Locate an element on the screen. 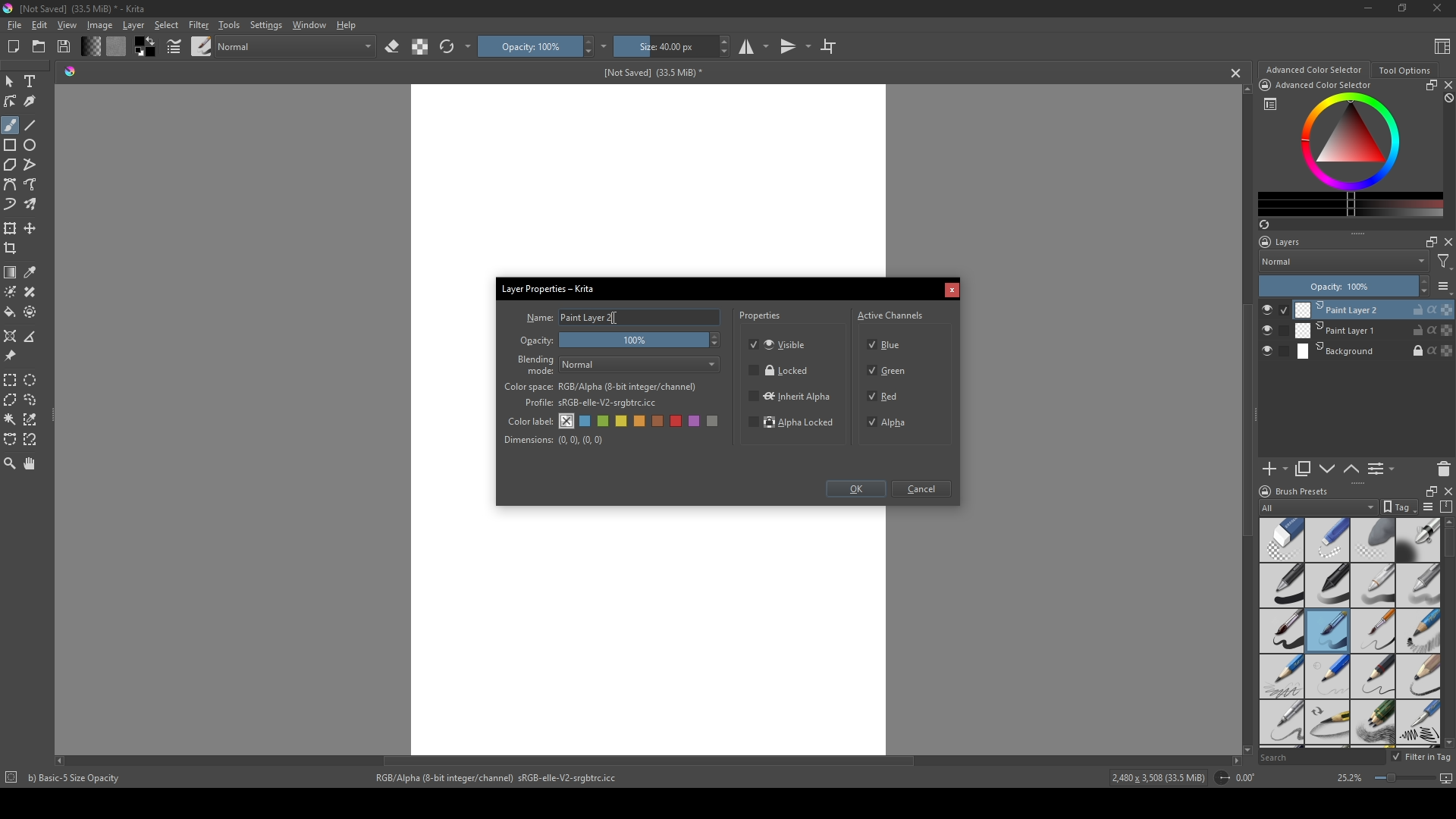  Select is located at coordinates (167, 25).